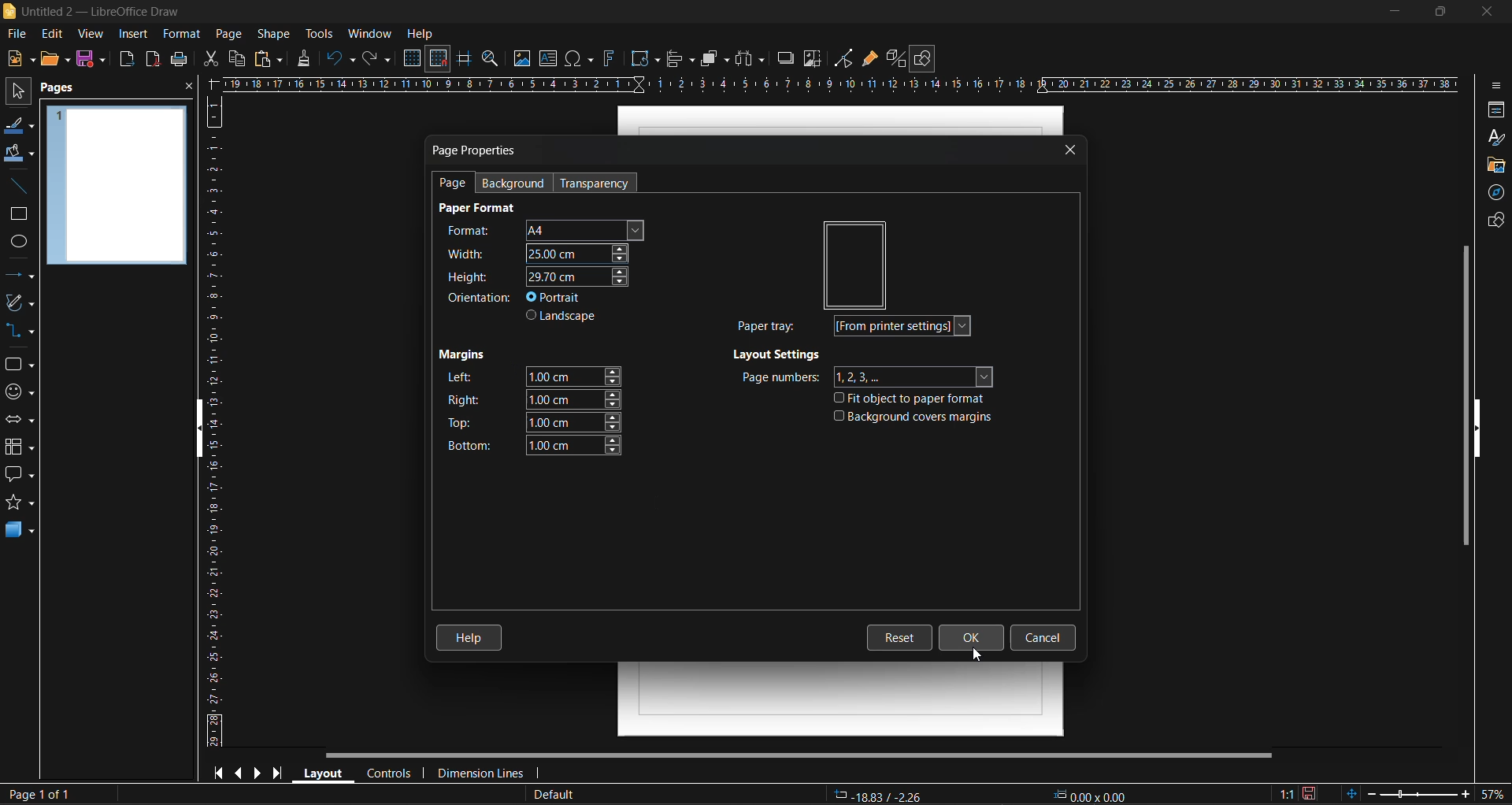  Describe the element at coordinates (1460, 395) in the screenshot. I see `vertical scroll bar` at that location.